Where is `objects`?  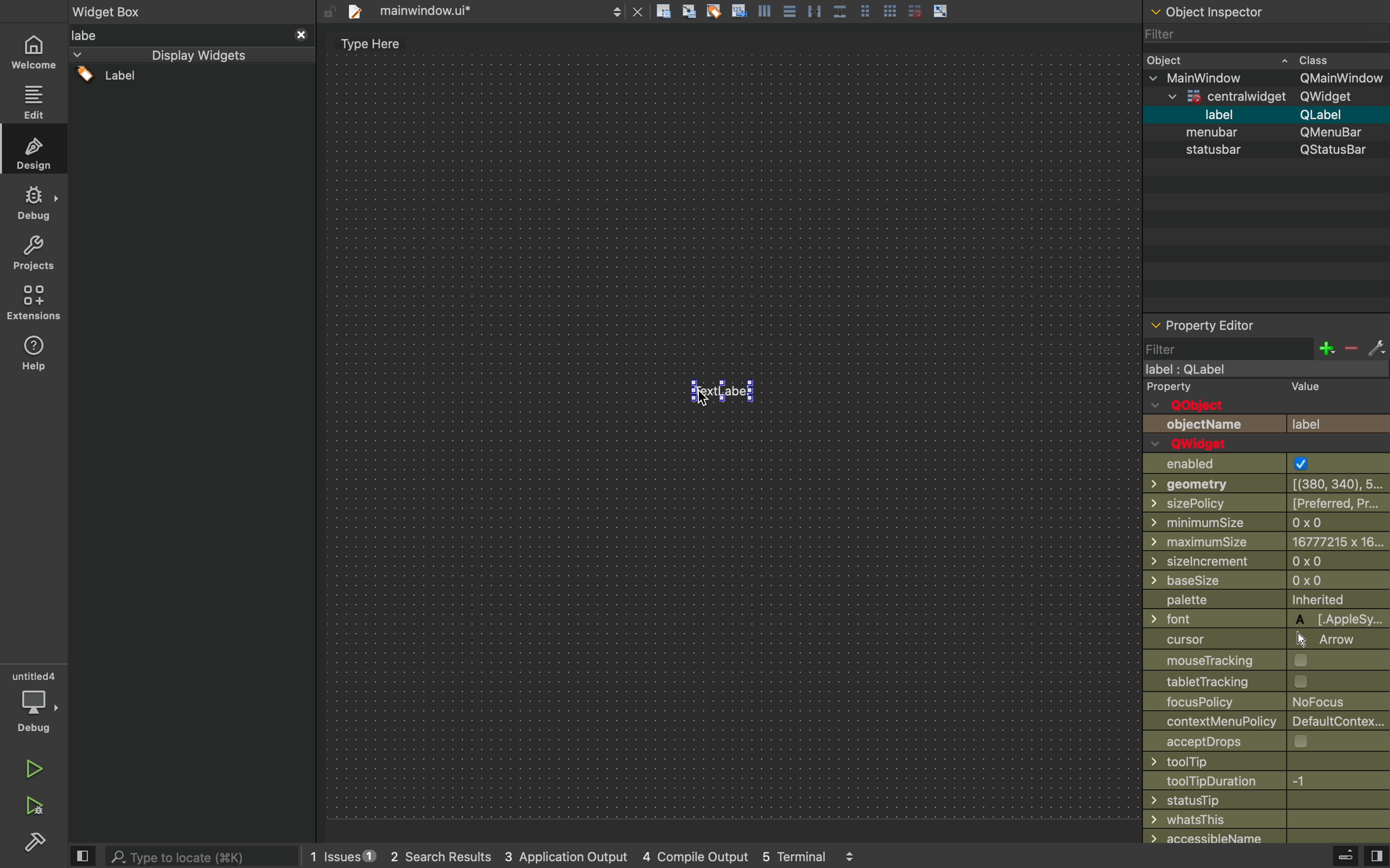
objects is located at coordinates (1267, 416).